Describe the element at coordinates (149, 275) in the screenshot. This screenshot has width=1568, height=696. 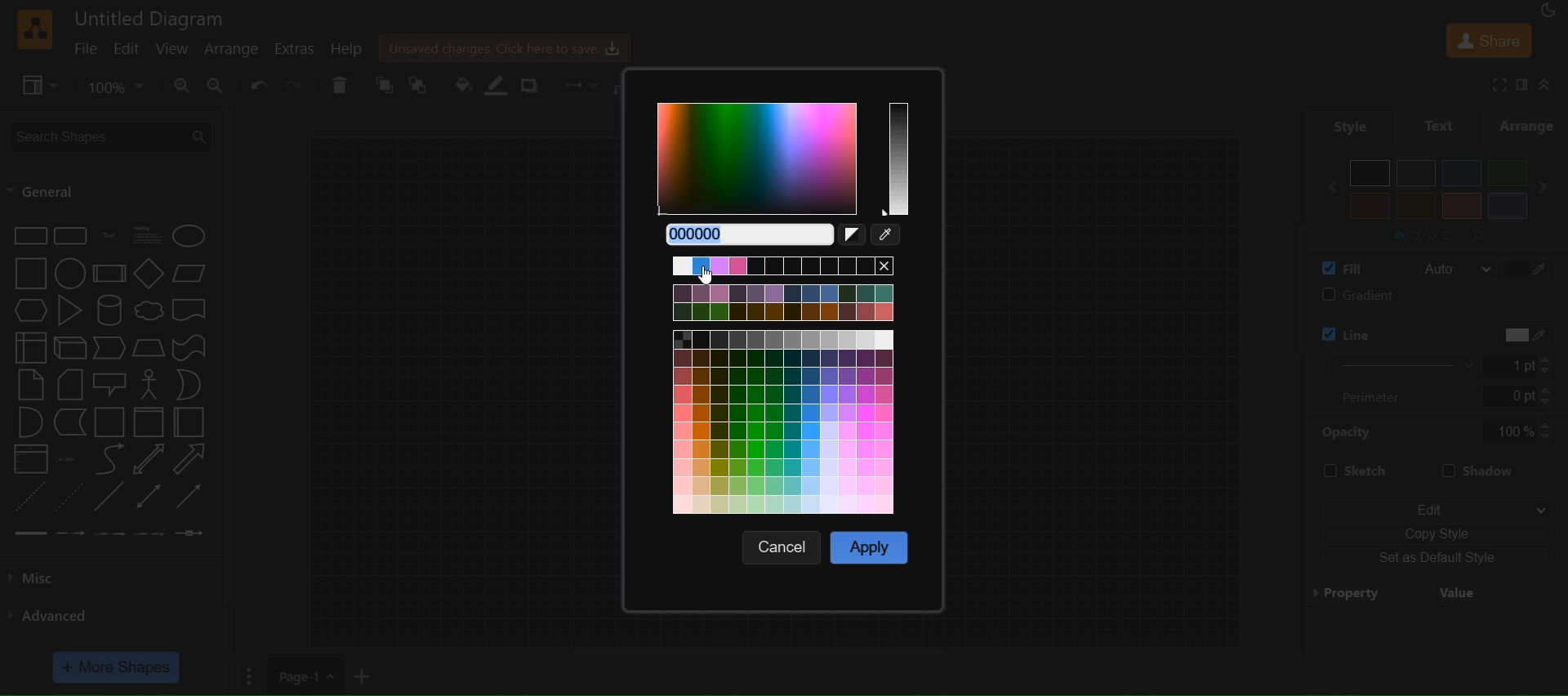
I see `diamond` at that location.